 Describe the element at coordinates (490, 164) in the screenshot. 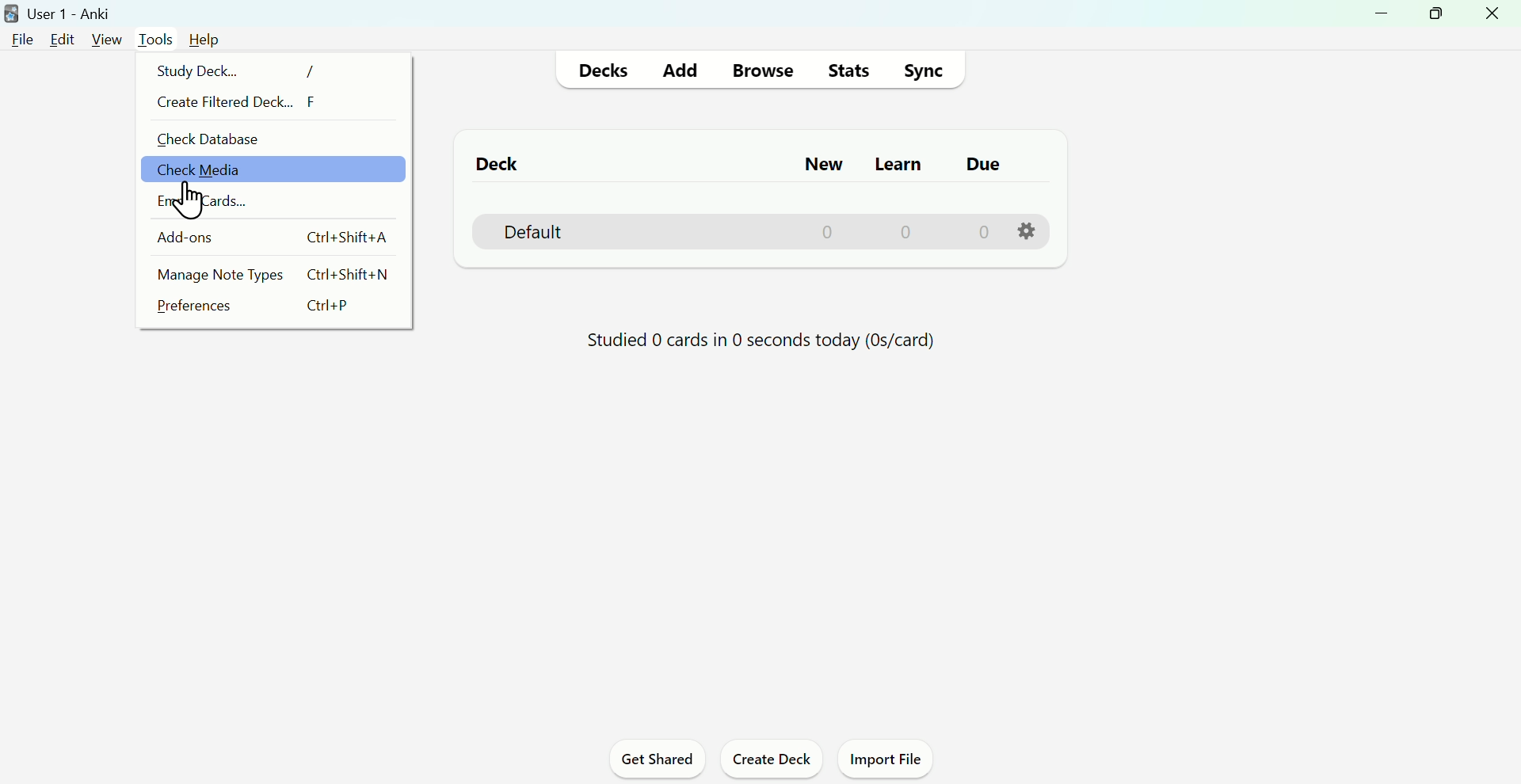

I see `Deck` at that location.